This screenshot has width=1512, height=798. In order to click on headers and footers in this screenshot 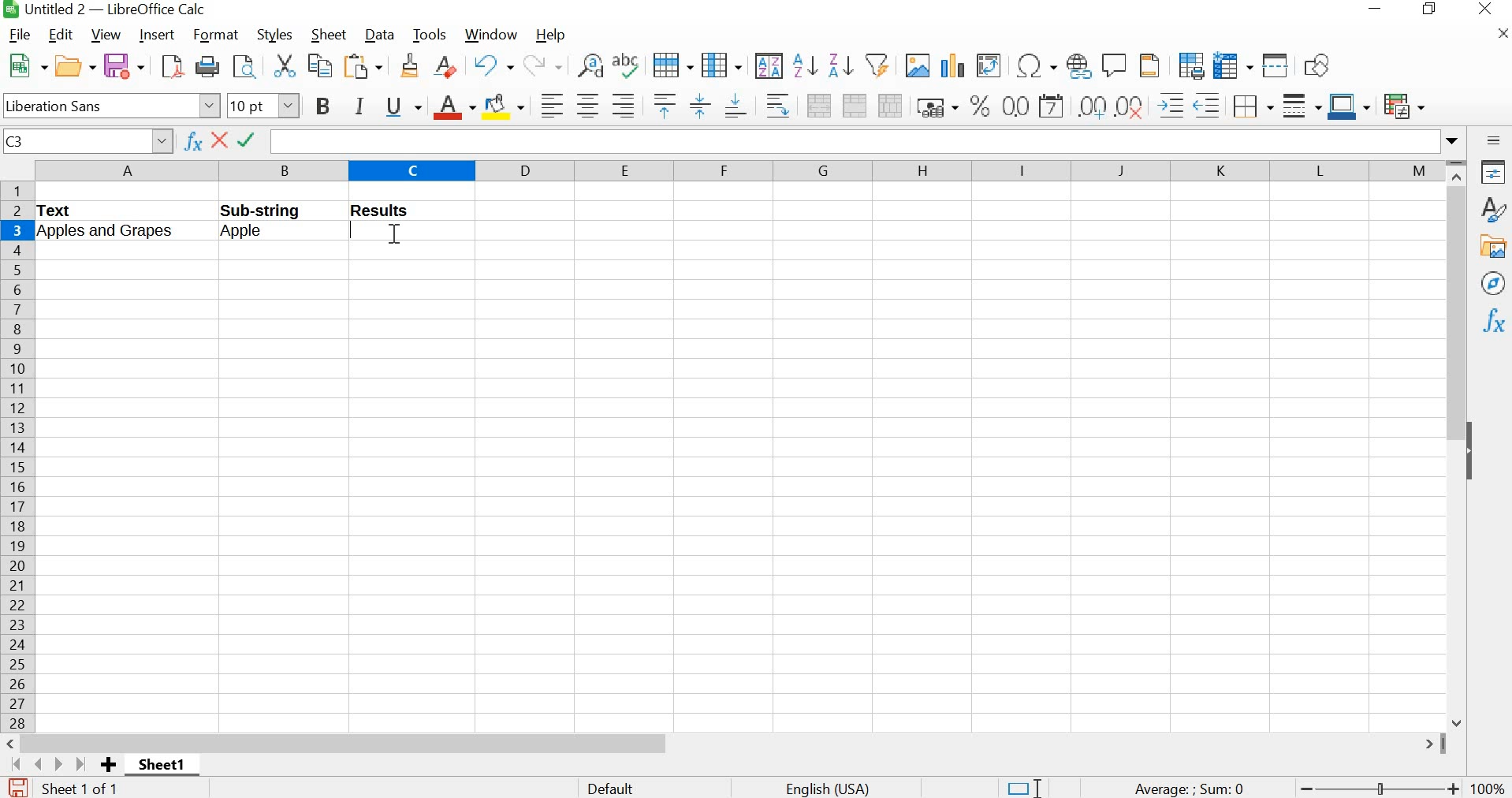, I will do `click(1151, 65)`.